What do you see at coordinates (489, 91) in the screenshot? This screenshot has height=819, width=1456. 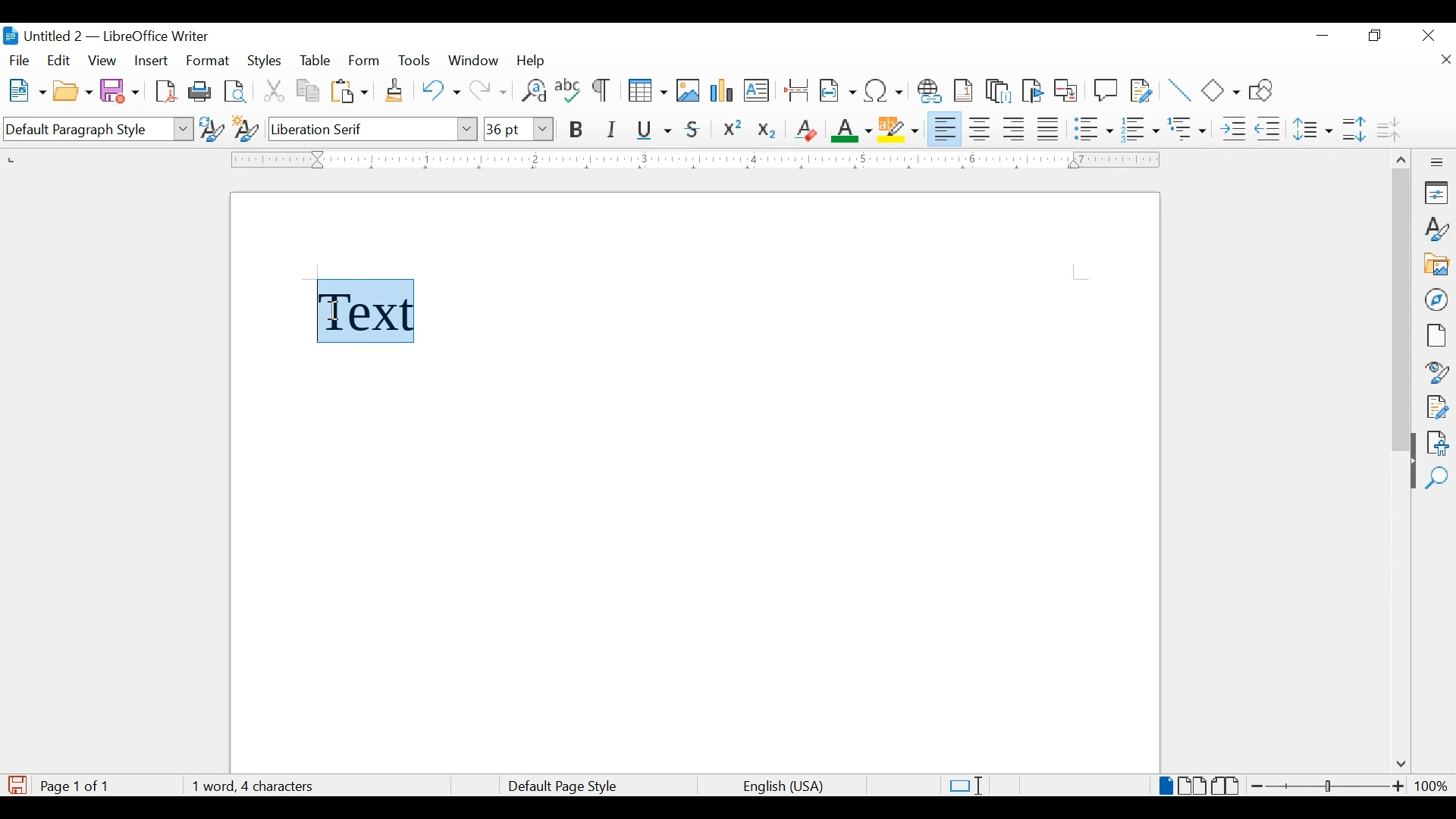 I see `redo` at bounding box center [489, 91].